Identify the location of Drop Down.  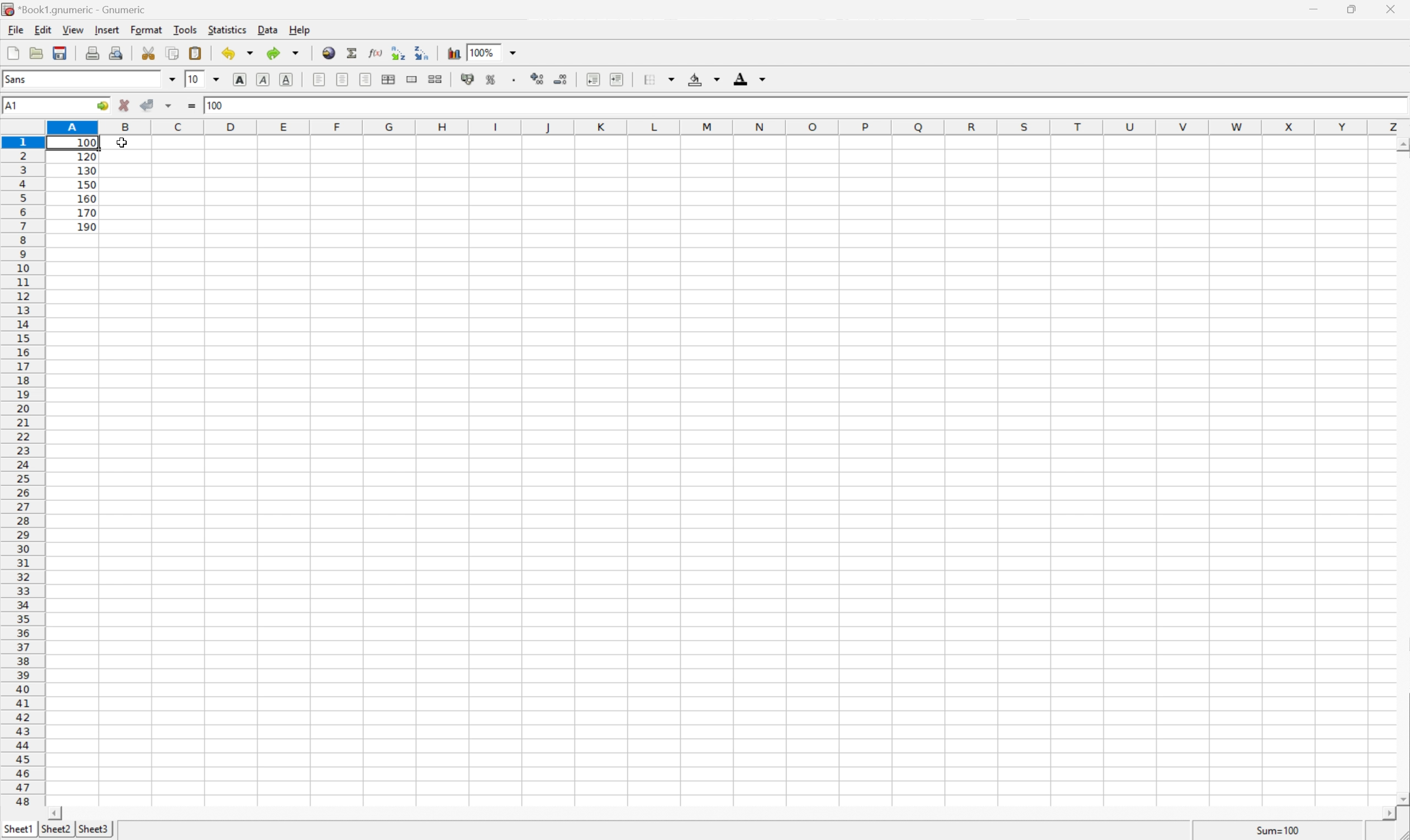
(174, 79).